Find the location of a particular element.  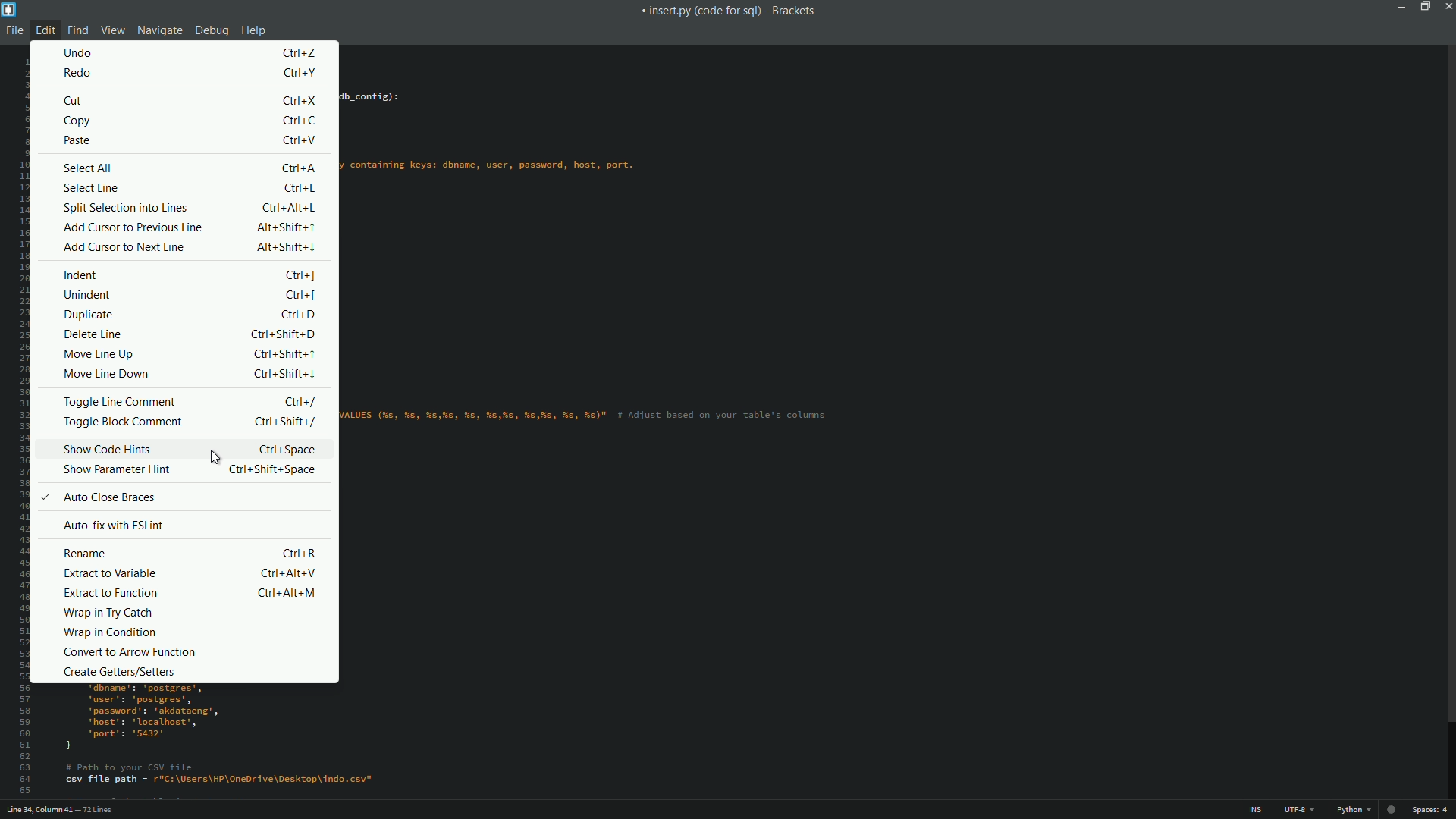

cursor is located at coordinates (213, 456).